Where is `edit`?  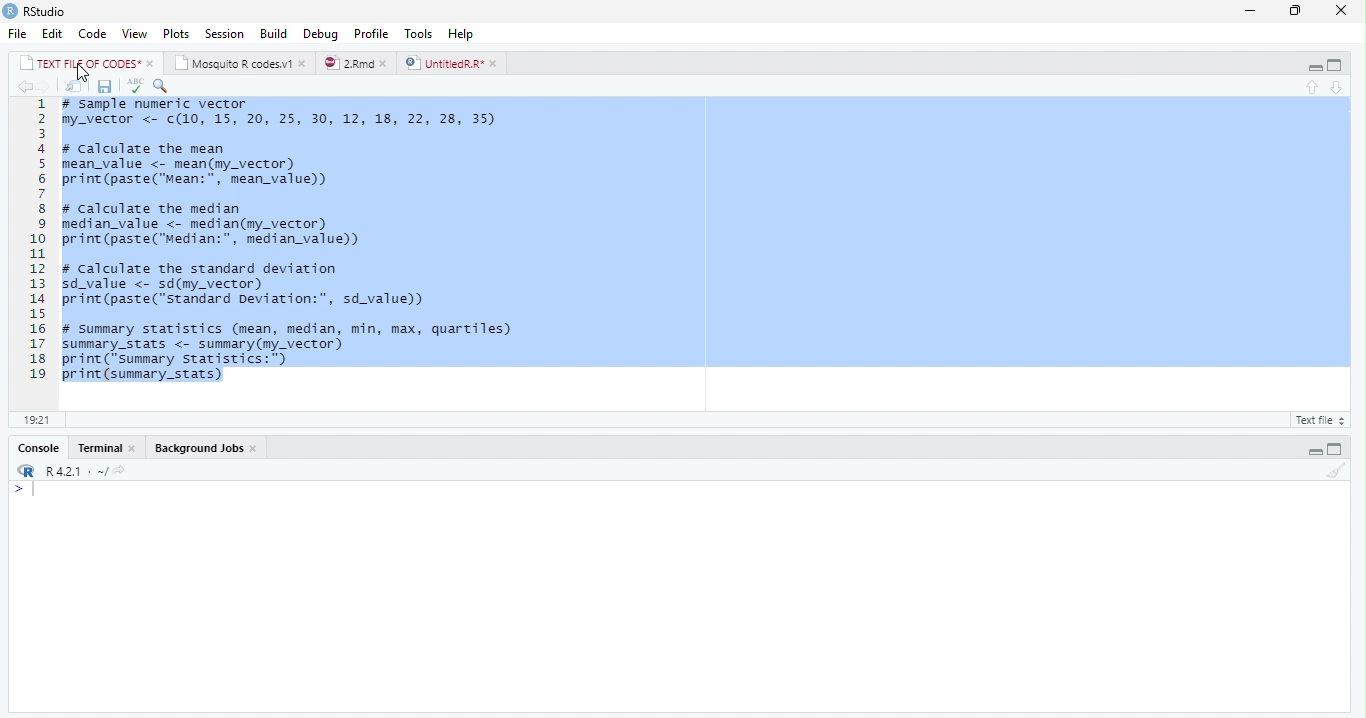 edit is located at coordinates (53, 34).